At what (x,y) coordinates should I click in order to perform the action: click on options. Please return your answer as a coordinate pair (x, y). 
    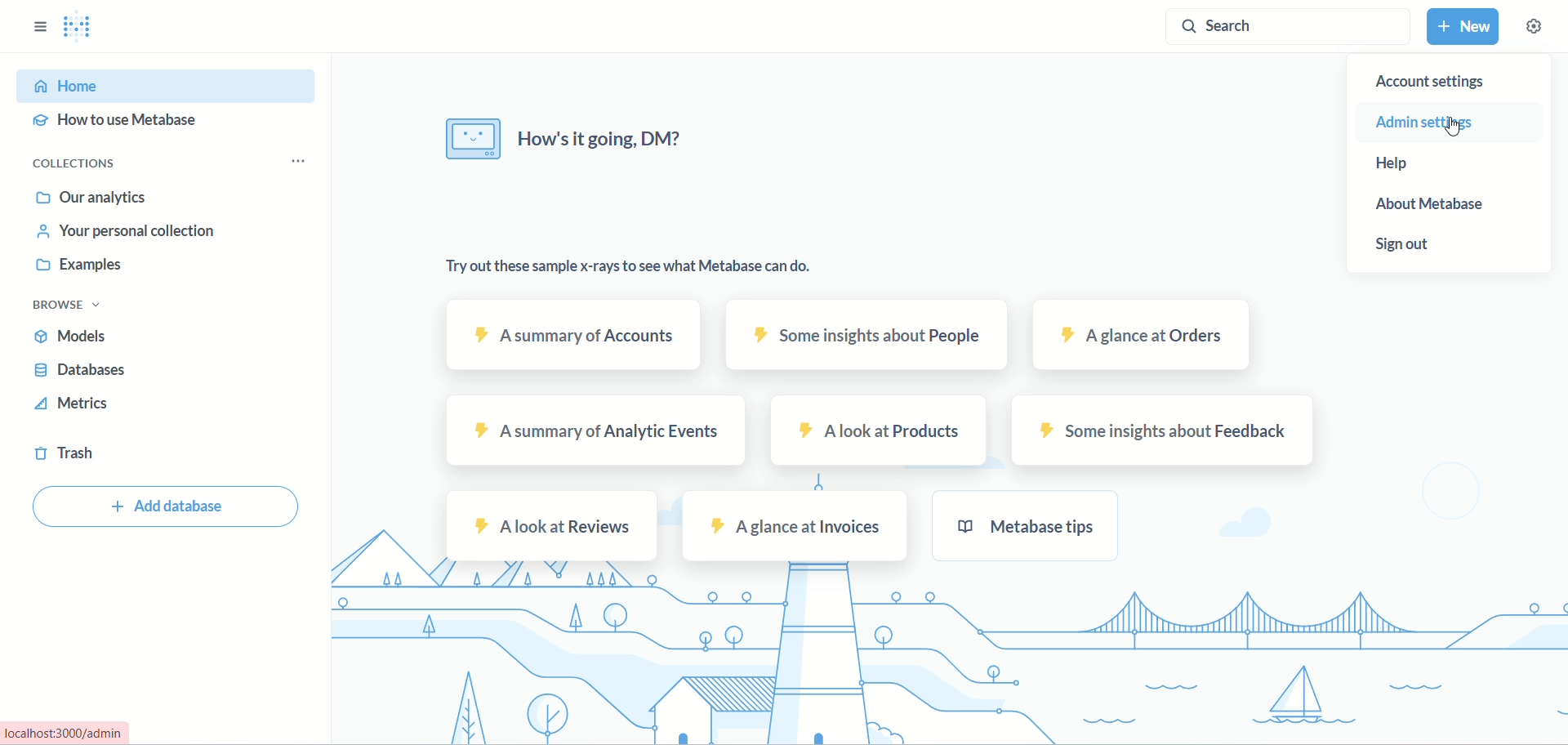
    Looking at the image, I should click on (37, 27).